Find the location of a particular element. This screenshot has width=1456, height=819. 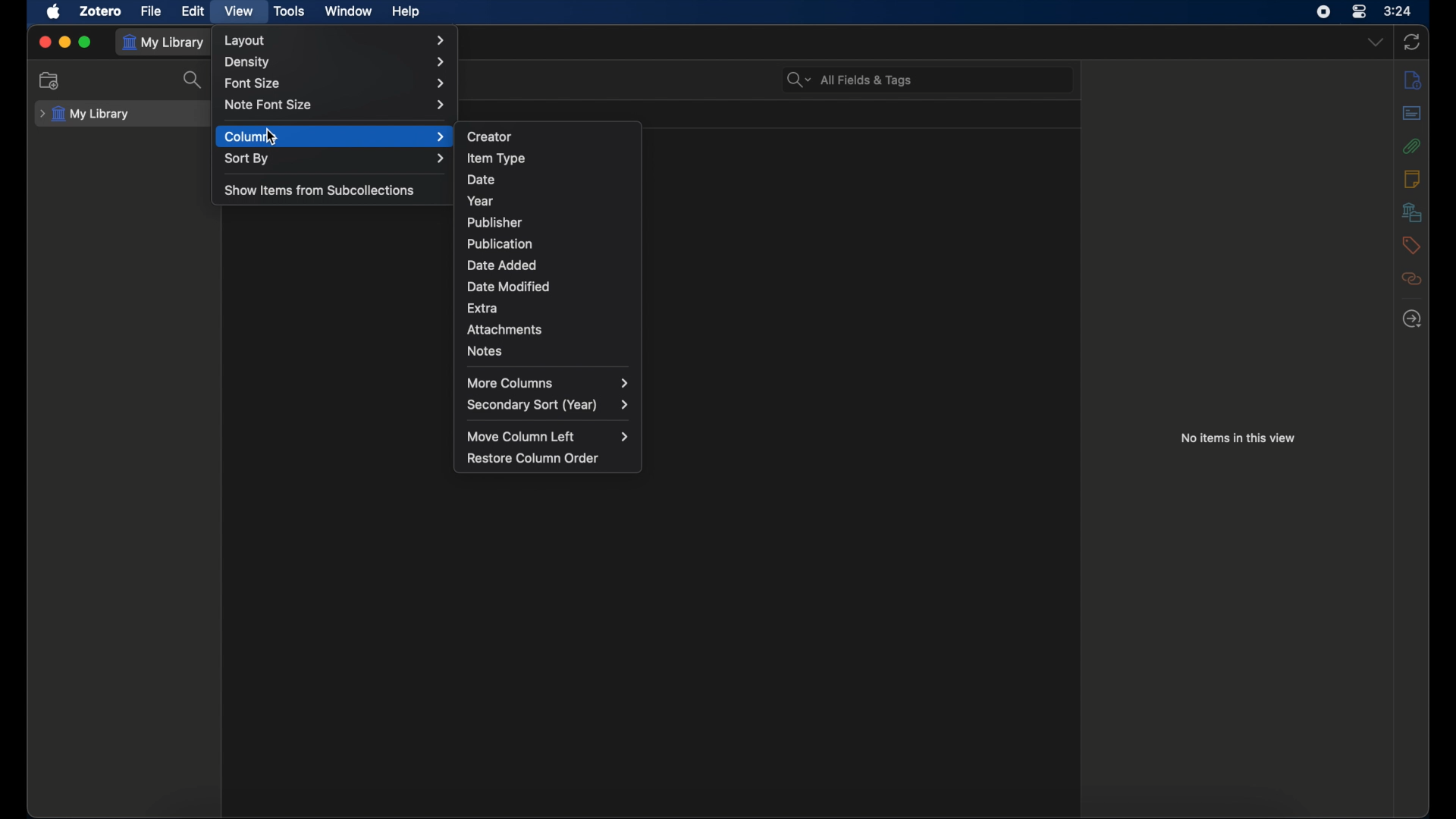

info is located at coordinates (1414, 79).